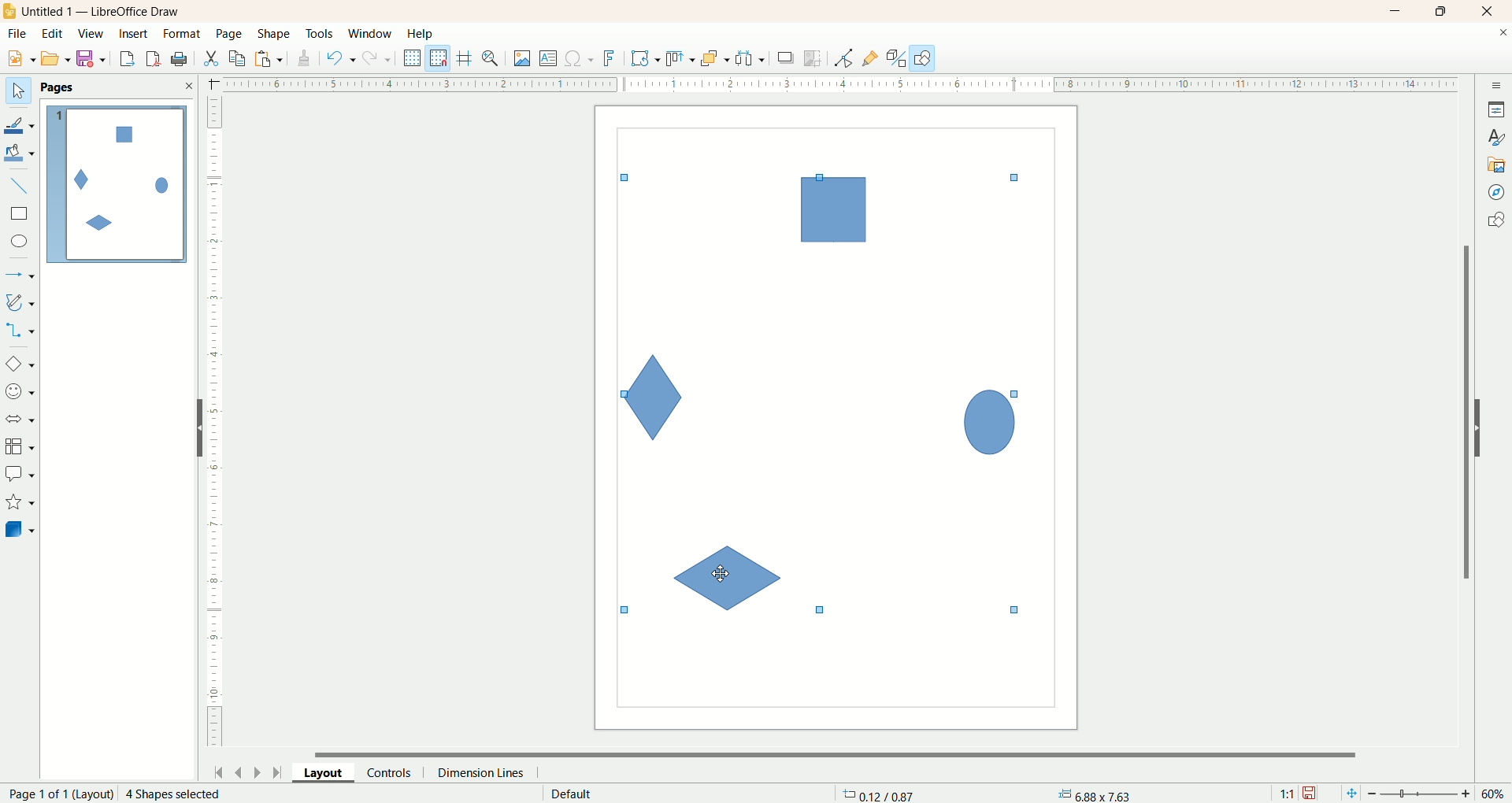 This screenshot has height=803, width=1512. Describe the element at coordinates (1491, 12) in the screenshot. I see `close` at that location.